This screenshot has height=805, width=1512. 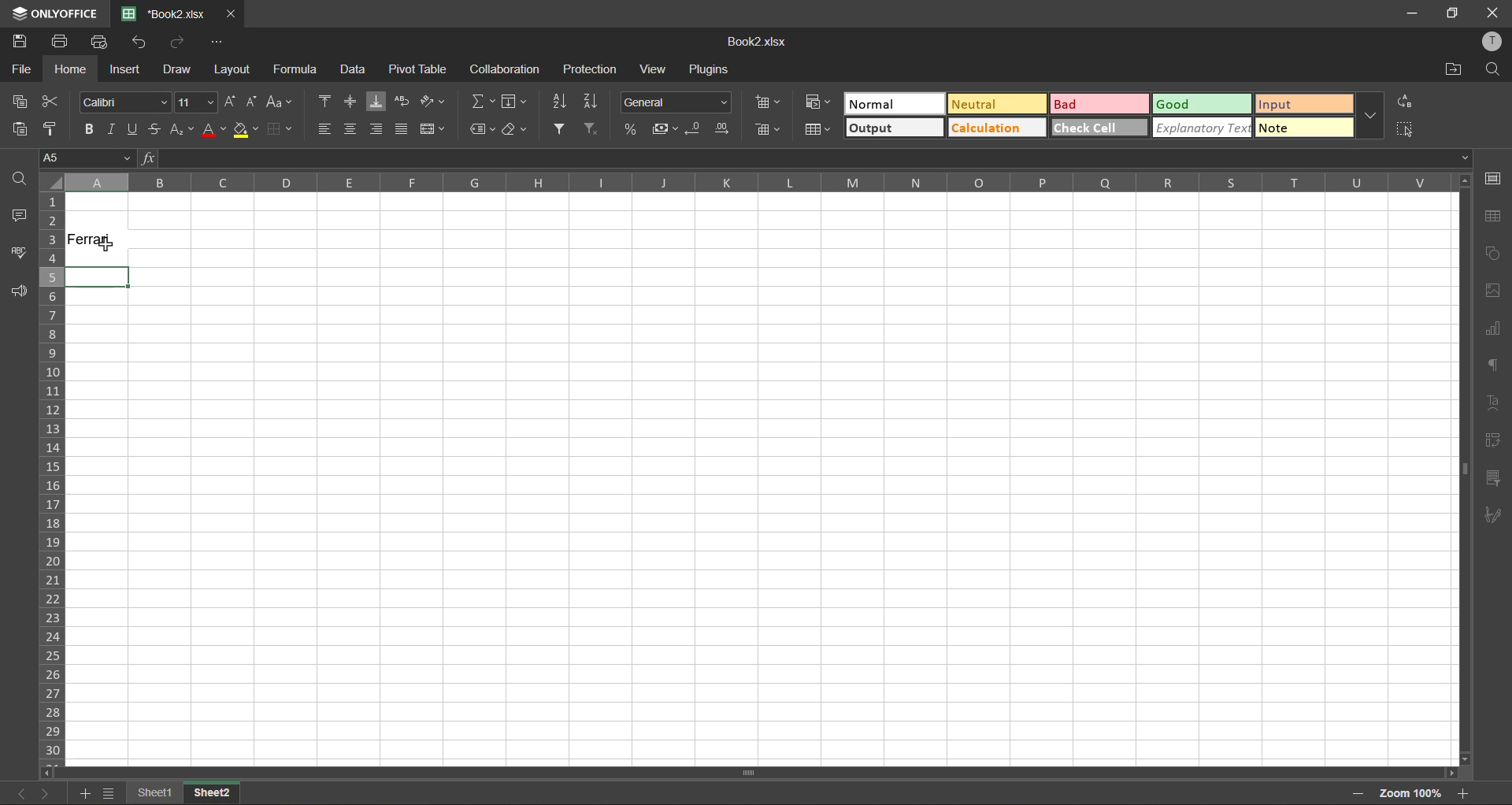 I want to click on Sheet 2, so click(x=221, y=794).